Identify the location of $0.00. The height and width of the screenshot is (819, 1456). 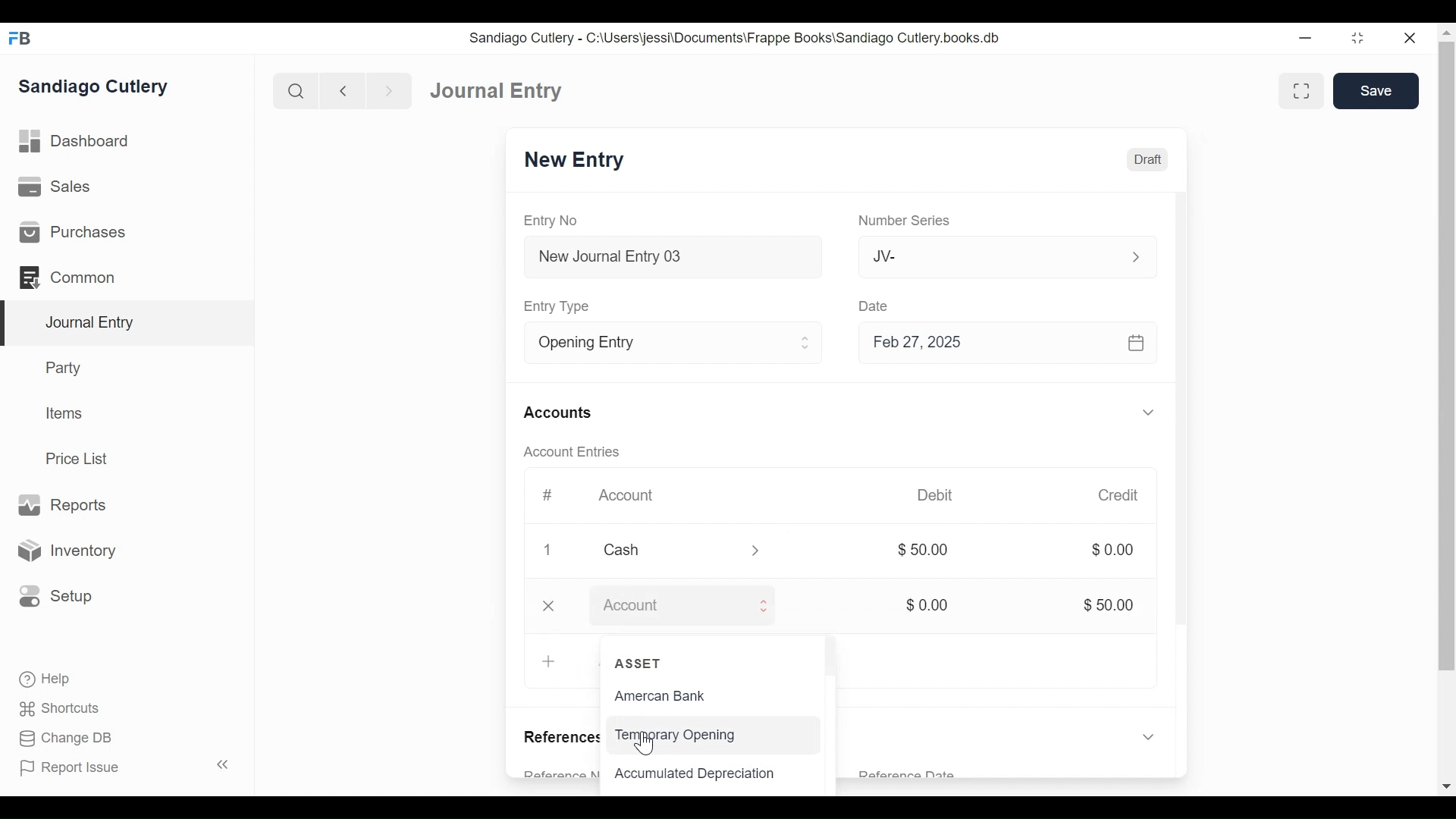
(1115, 550).